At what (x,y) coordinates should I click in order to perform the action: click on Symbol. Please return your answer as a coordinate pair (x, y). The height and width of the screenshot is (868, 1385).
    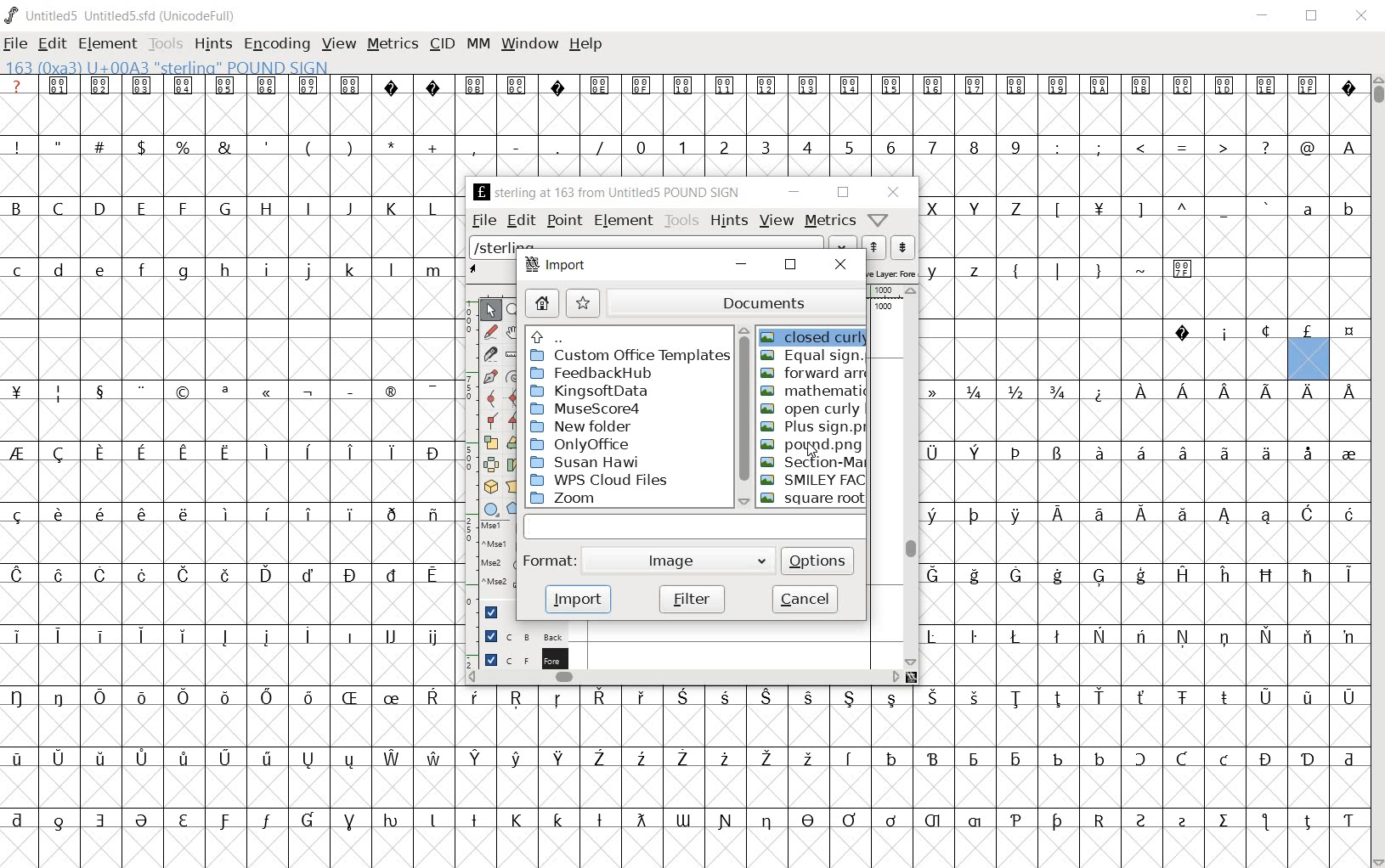
    Looking at the image, I should click on (938, 637).